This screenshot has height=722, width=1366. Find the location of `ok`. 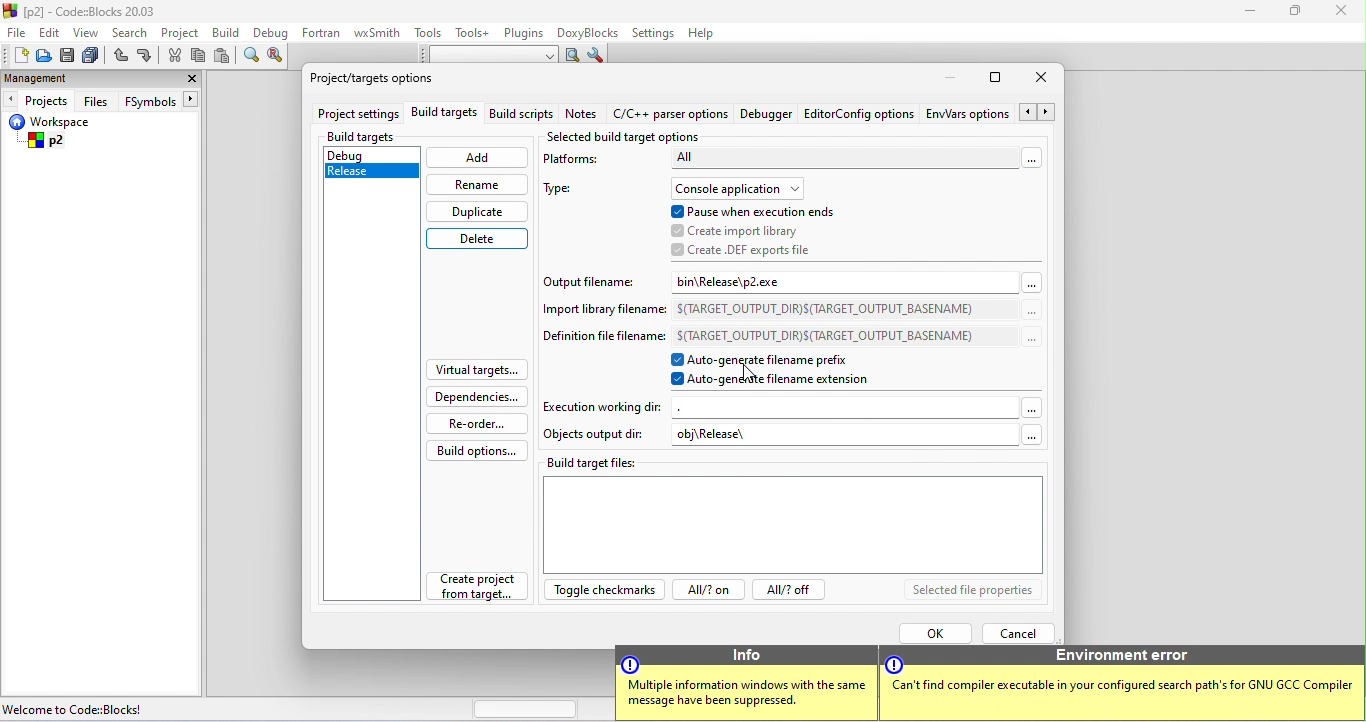

ok is located at coordinates (933, 632).